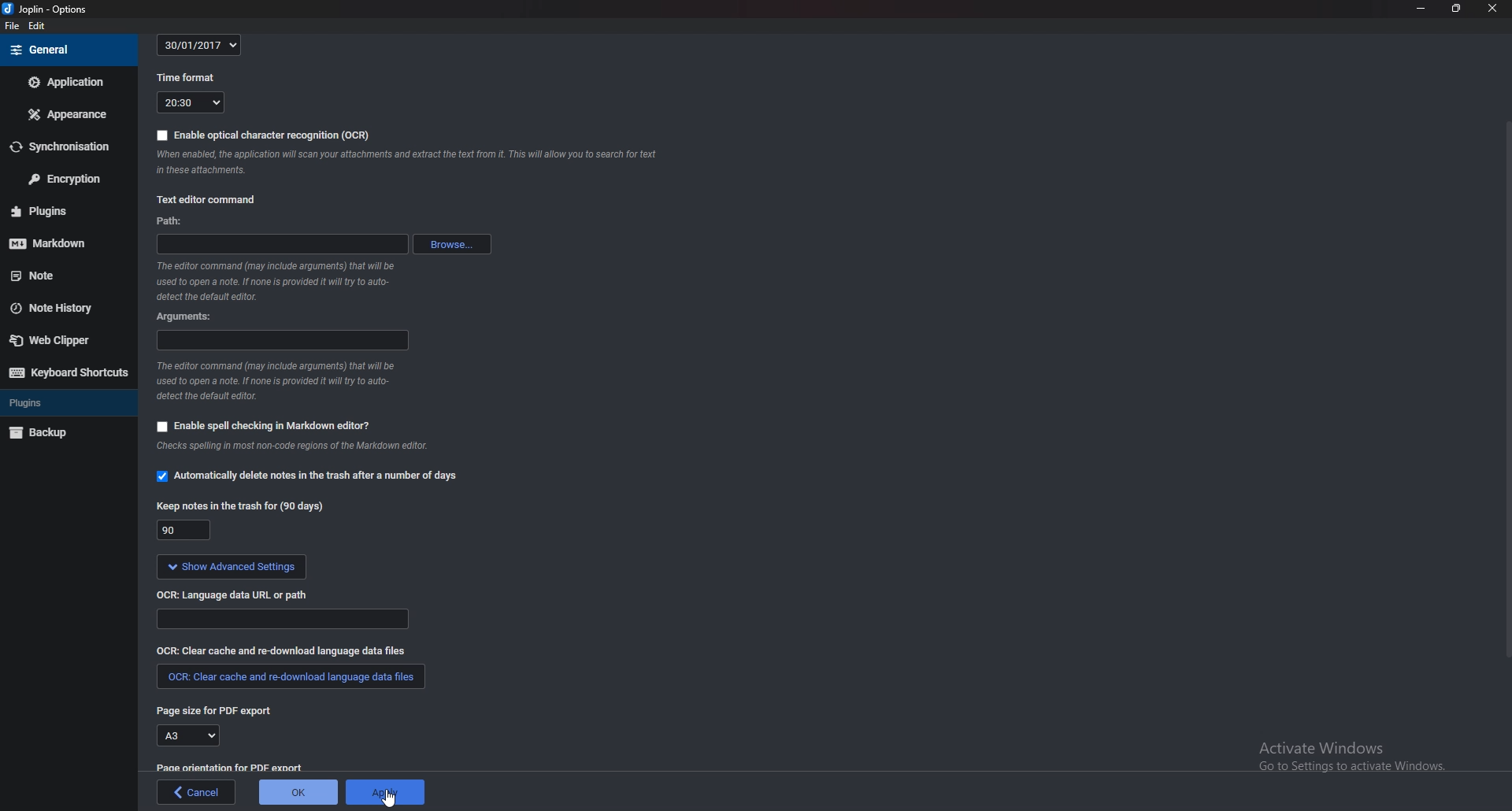 This screenshot has width=1512, height=811. I want to click on Enable spell checking, so click(265, 425).